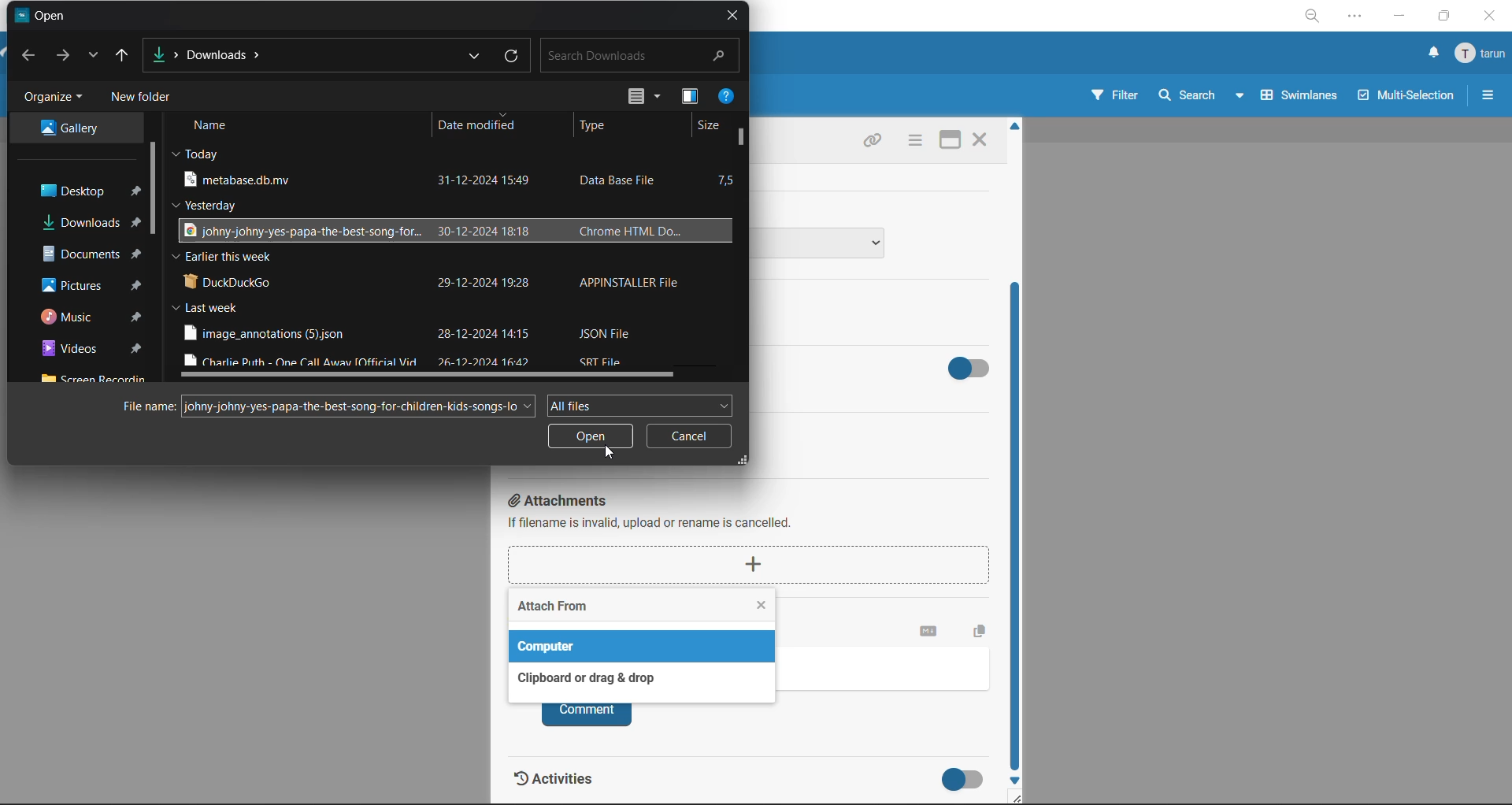 Image resolution: width=1512 pixels, height=805 pixels. What do you see at coordinates (591, 437) in the screenshot?
I see `open` at bounding box center [591, 437].